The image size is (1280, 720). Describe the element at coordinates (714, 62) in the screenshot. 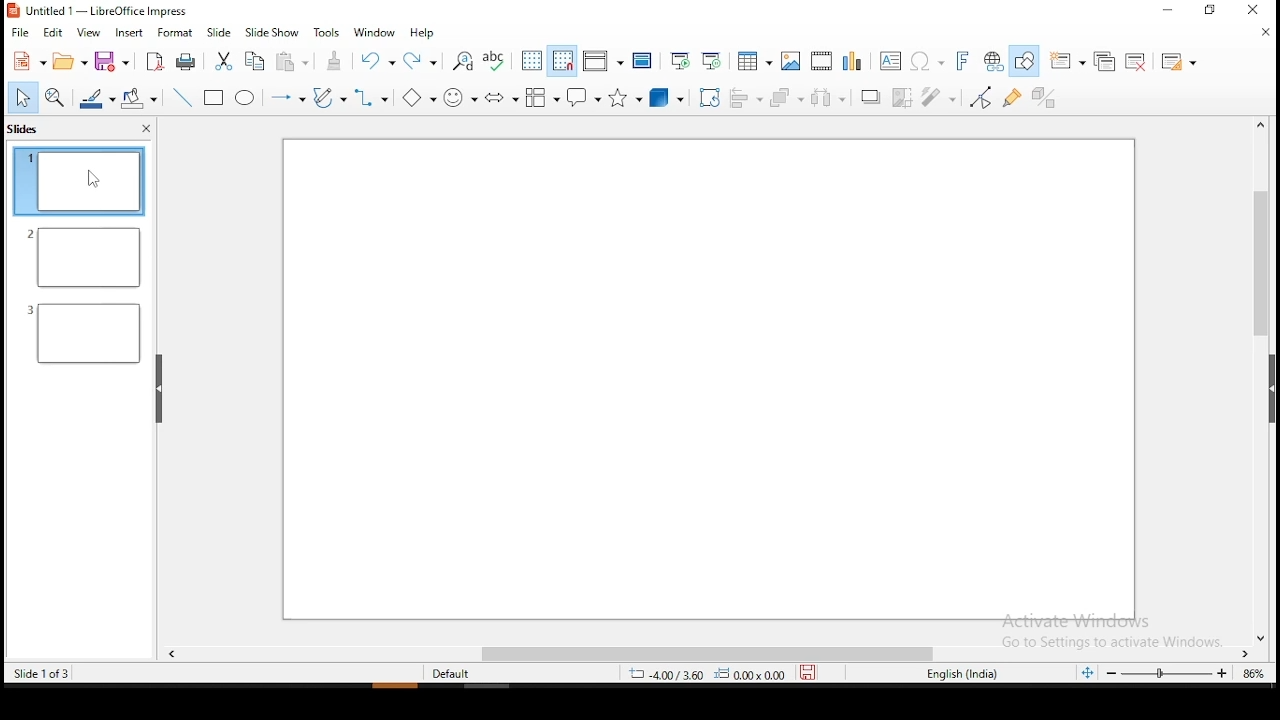

I see `start from current slide` at that location.